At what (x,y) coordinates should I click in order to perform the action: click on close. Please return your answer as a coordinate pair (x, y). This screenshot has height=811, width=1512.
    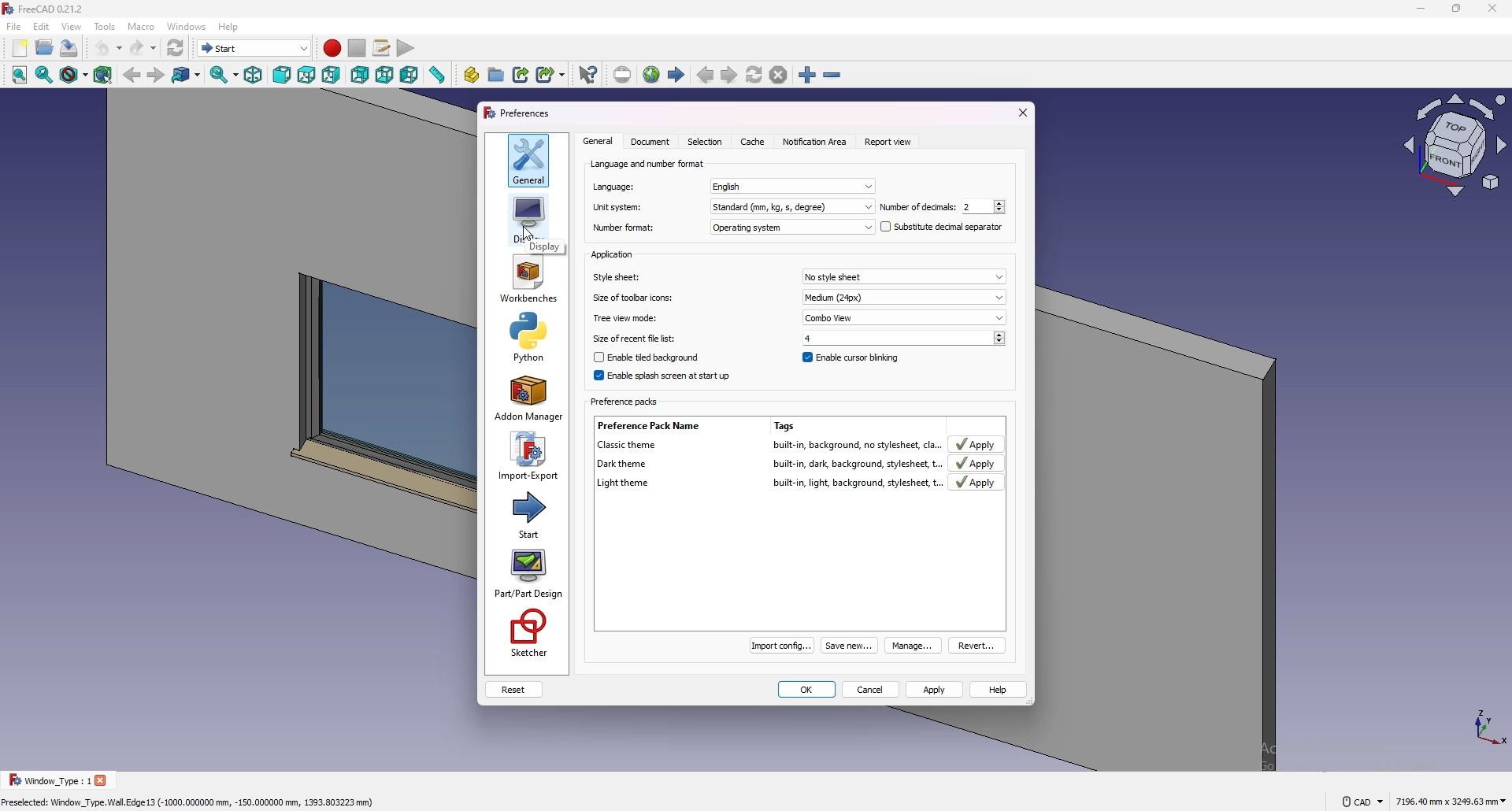
    Looking at the image, I should click on (104, 780).